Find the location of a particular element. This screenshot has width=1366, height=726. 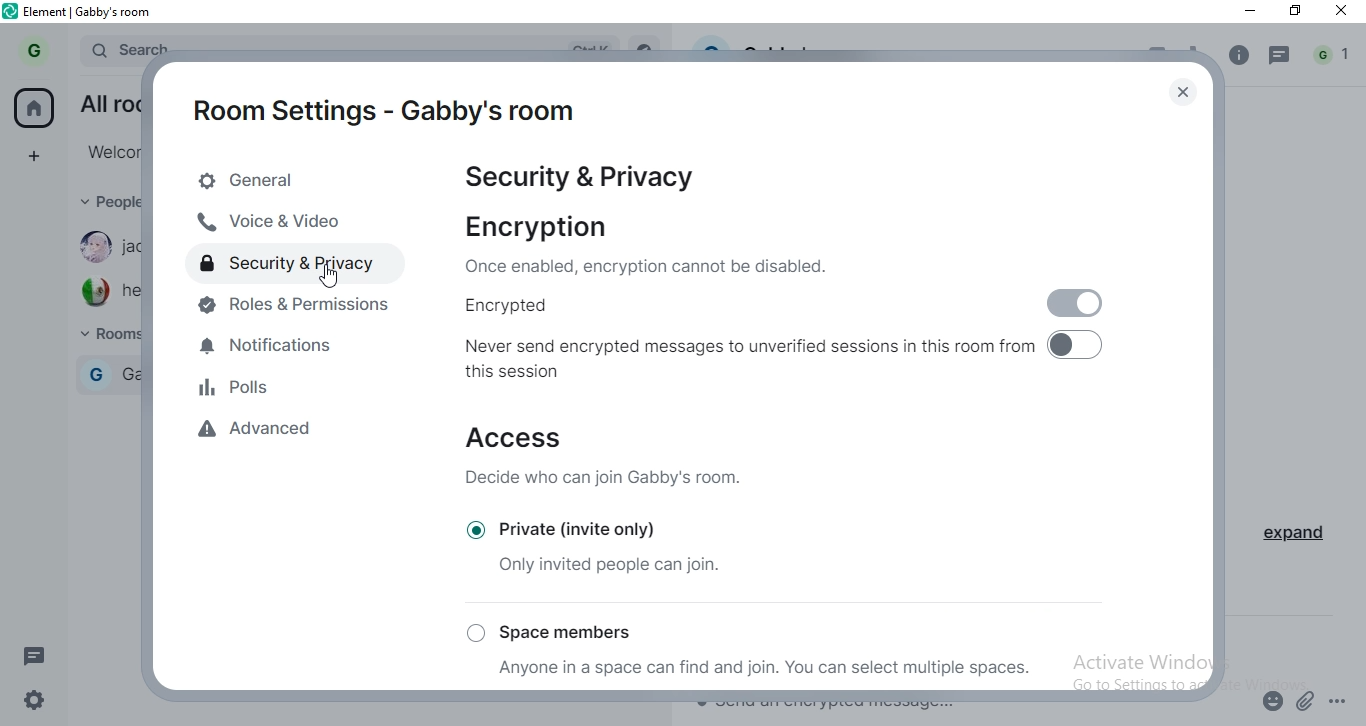

cursor is located at coordinates (328, 276).